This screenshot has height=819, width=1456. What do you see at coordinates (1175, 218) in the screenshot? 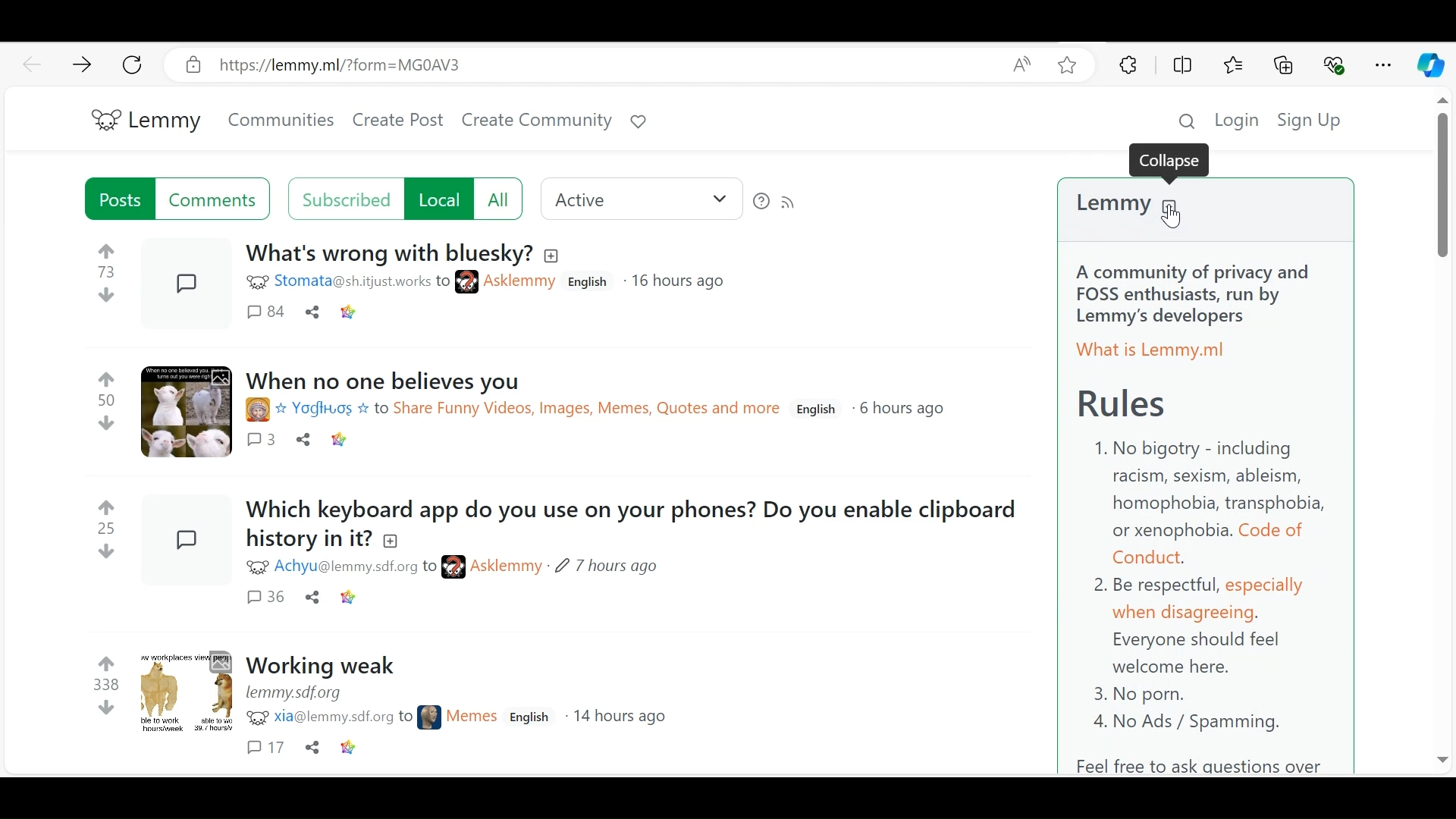
I see `Cursor` at bounding box center [1175, 218].